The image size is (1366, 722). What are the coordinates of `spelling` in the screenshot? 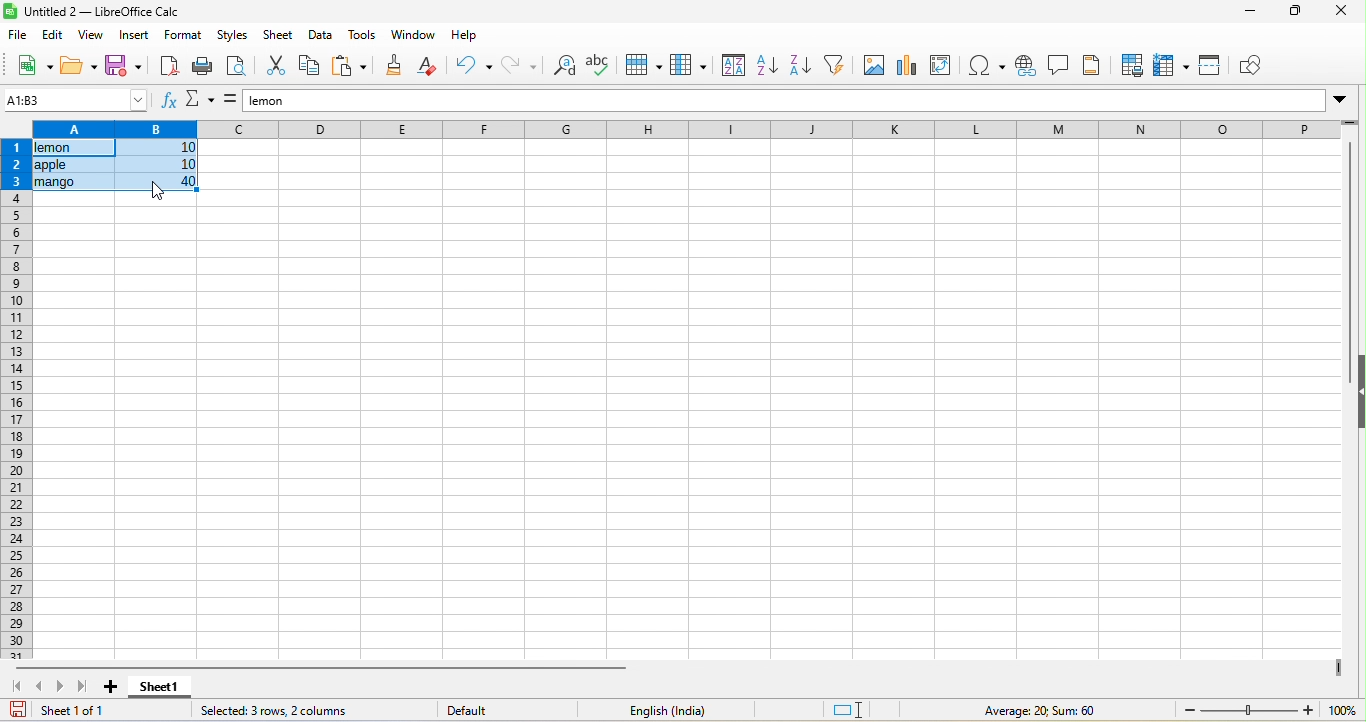 It's located at (602, 66).